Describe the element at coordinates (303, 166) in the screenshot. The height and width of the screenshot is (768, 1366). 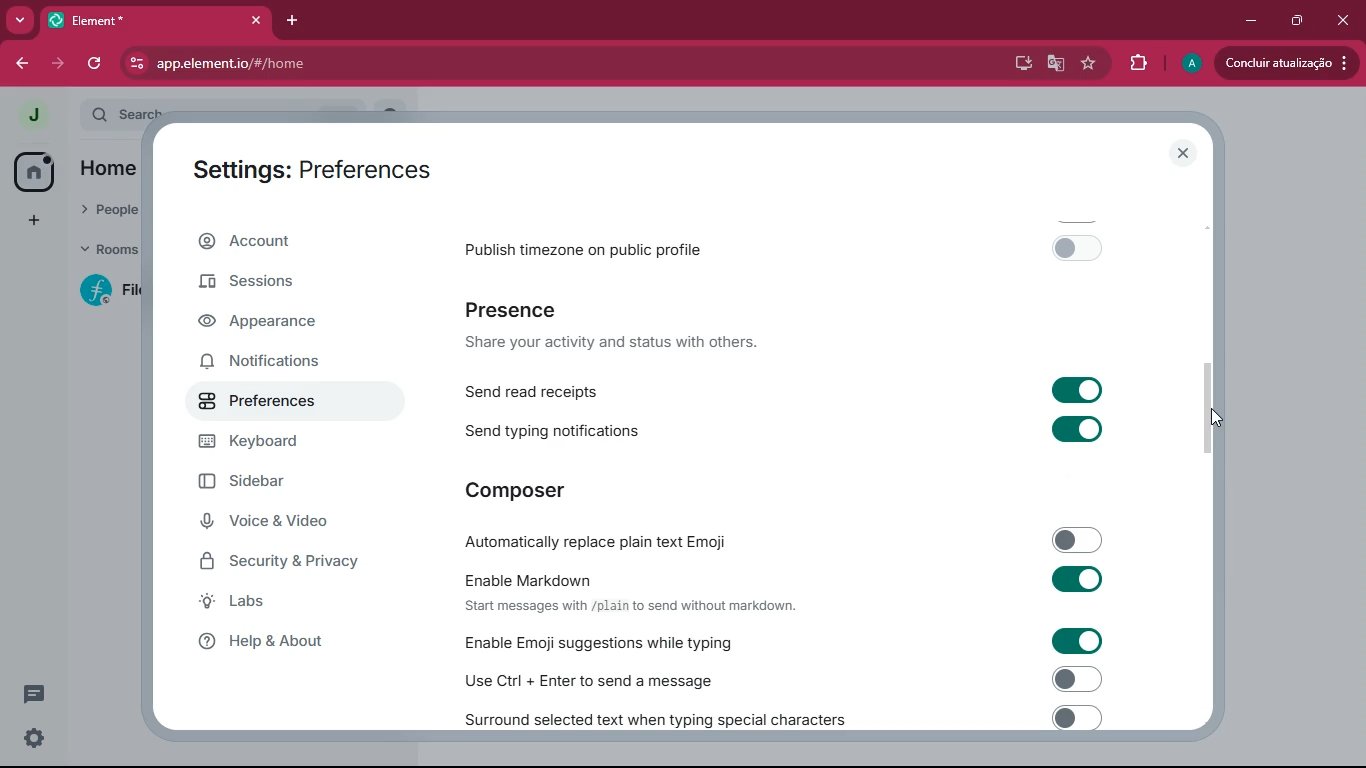
I see `settings: Account` at that location.